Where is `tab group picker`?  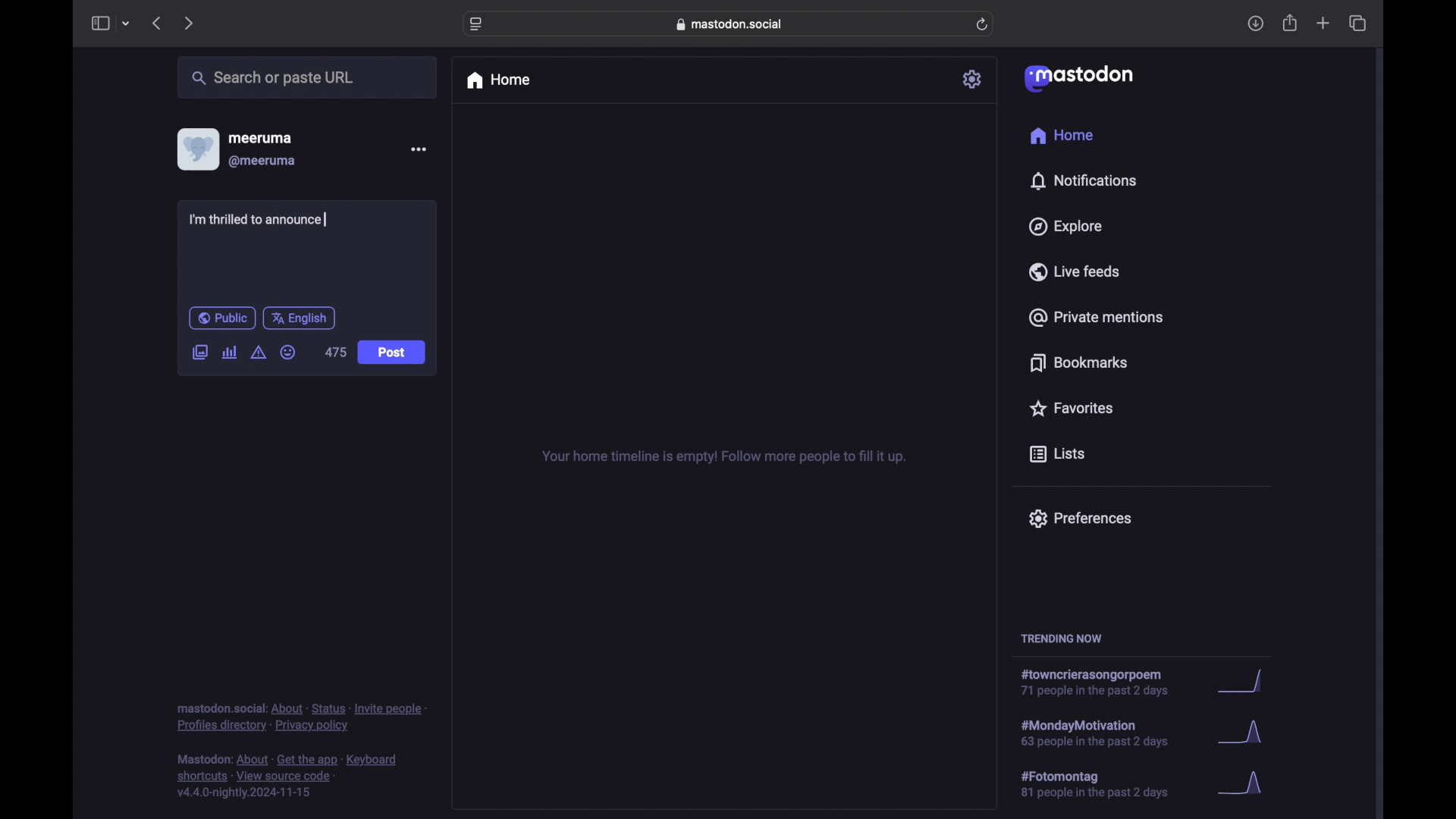
tab group picker is located at coordinates (127, 23).